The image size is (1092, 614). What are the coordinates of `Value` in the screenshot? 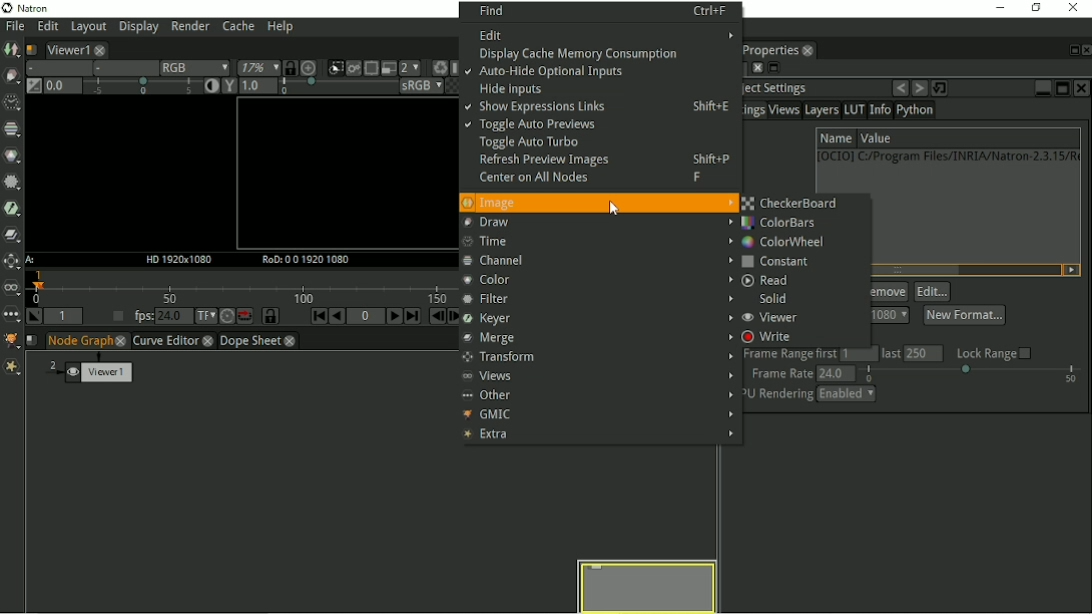 It's located at (876, 139).